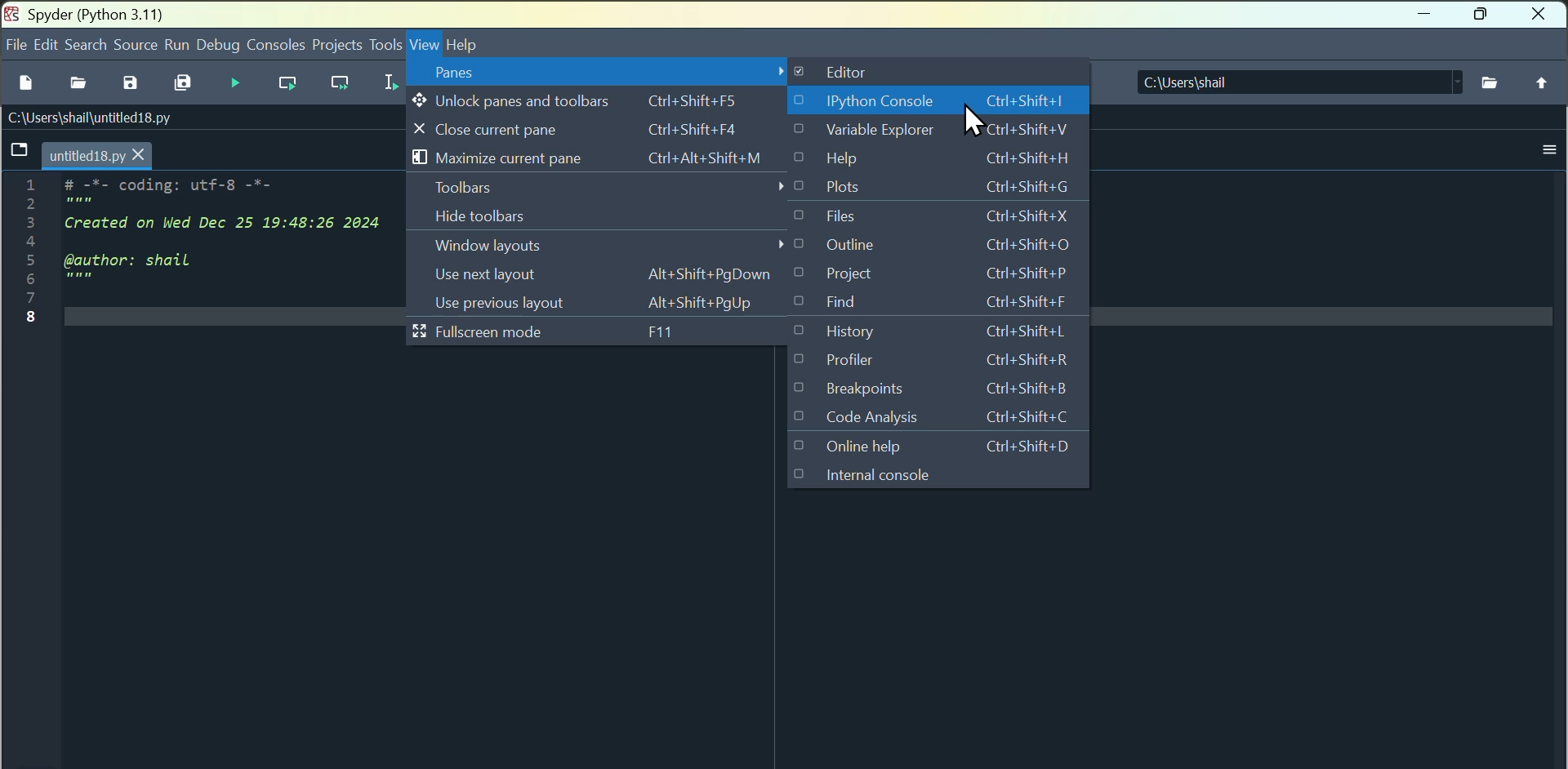 The width and height of the screenshot is (1568, 769). Describe the element at coordinates (590, 157) in the screenshot. I see `Maximise current pane` at that location.